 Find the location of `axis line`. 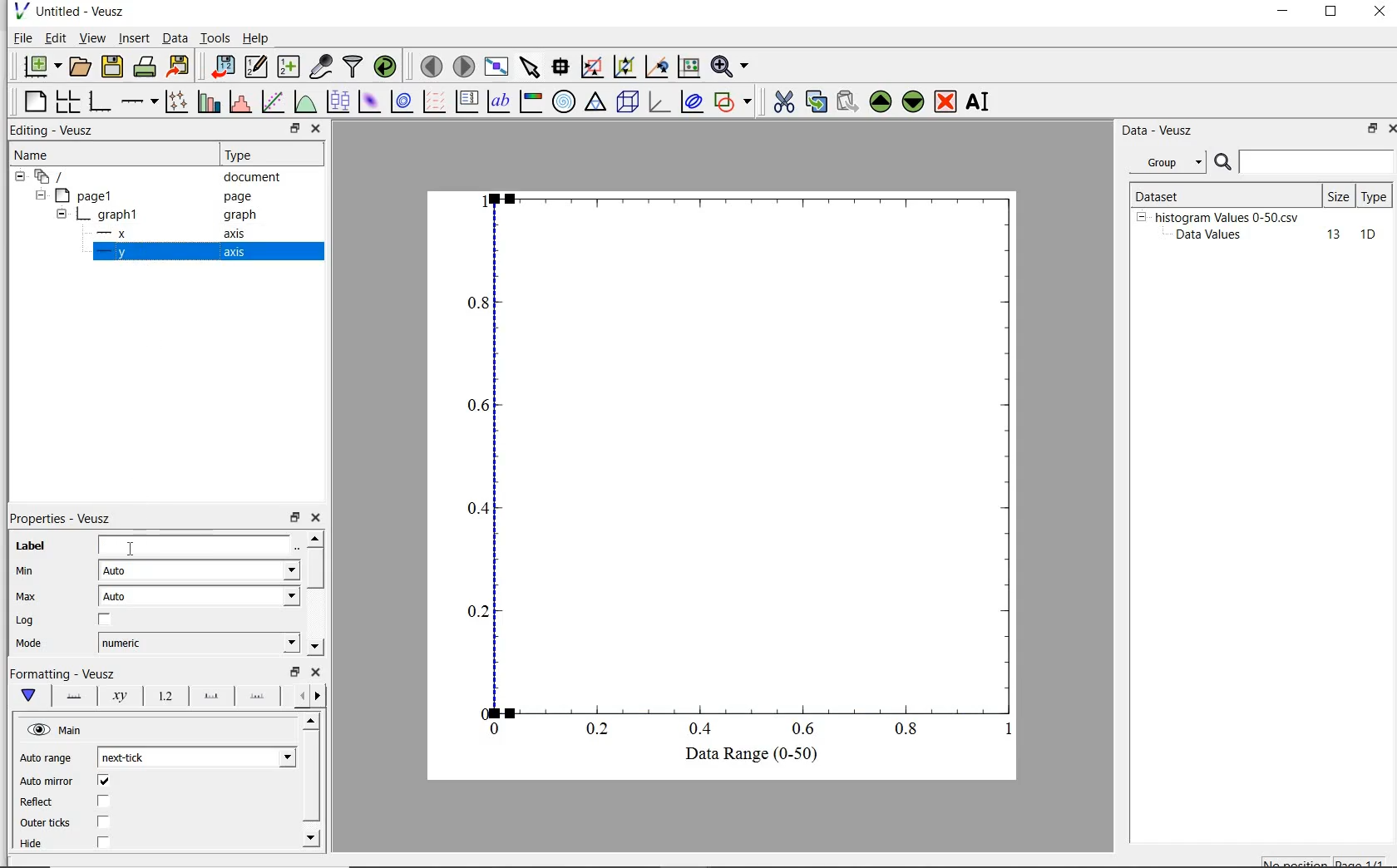

axis line is located at coordinates (73, 696).